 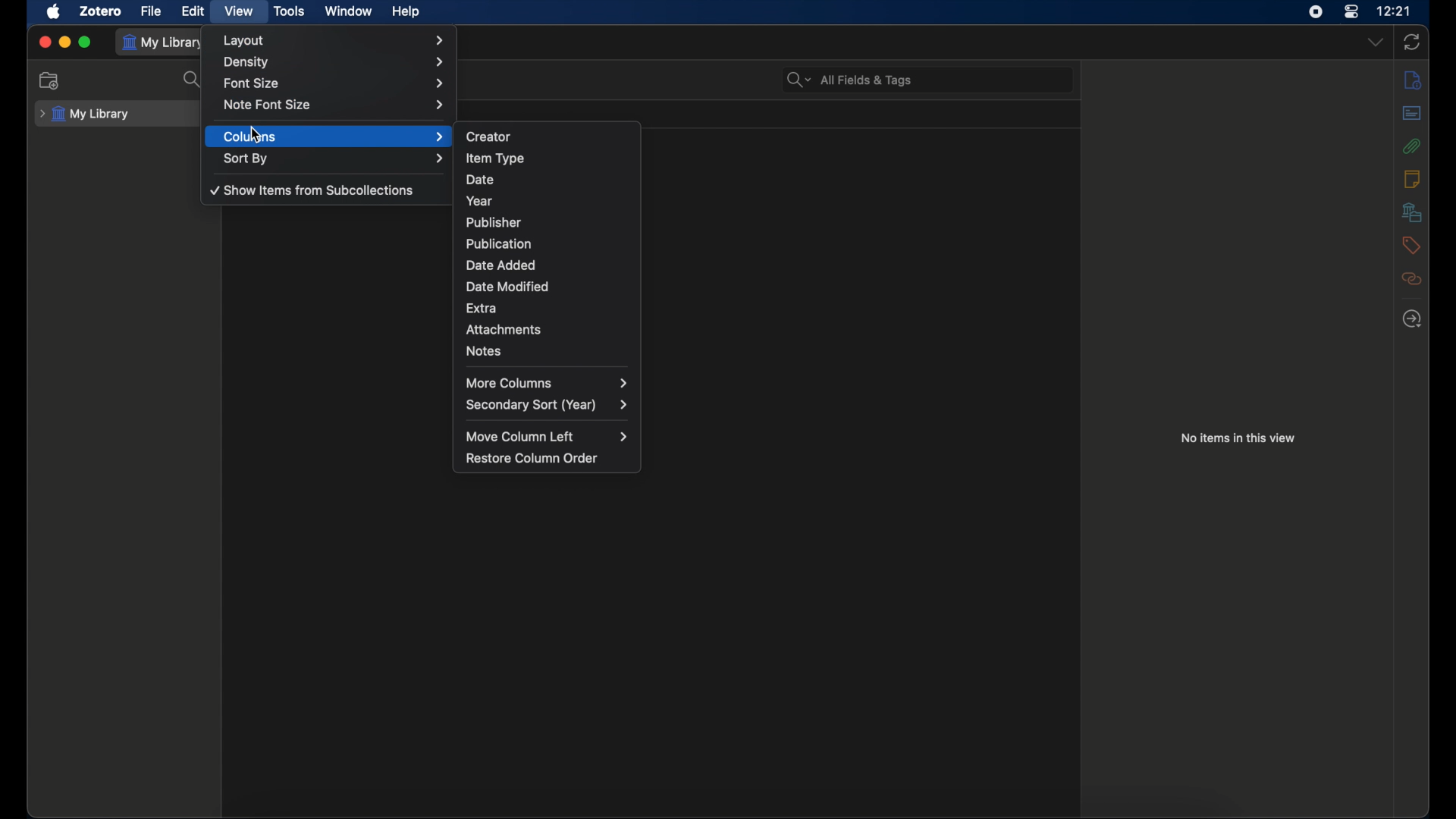 What do you see at coordinates (45, 42) in the screenshot?
I see `close` at bounding box center [45, 42].